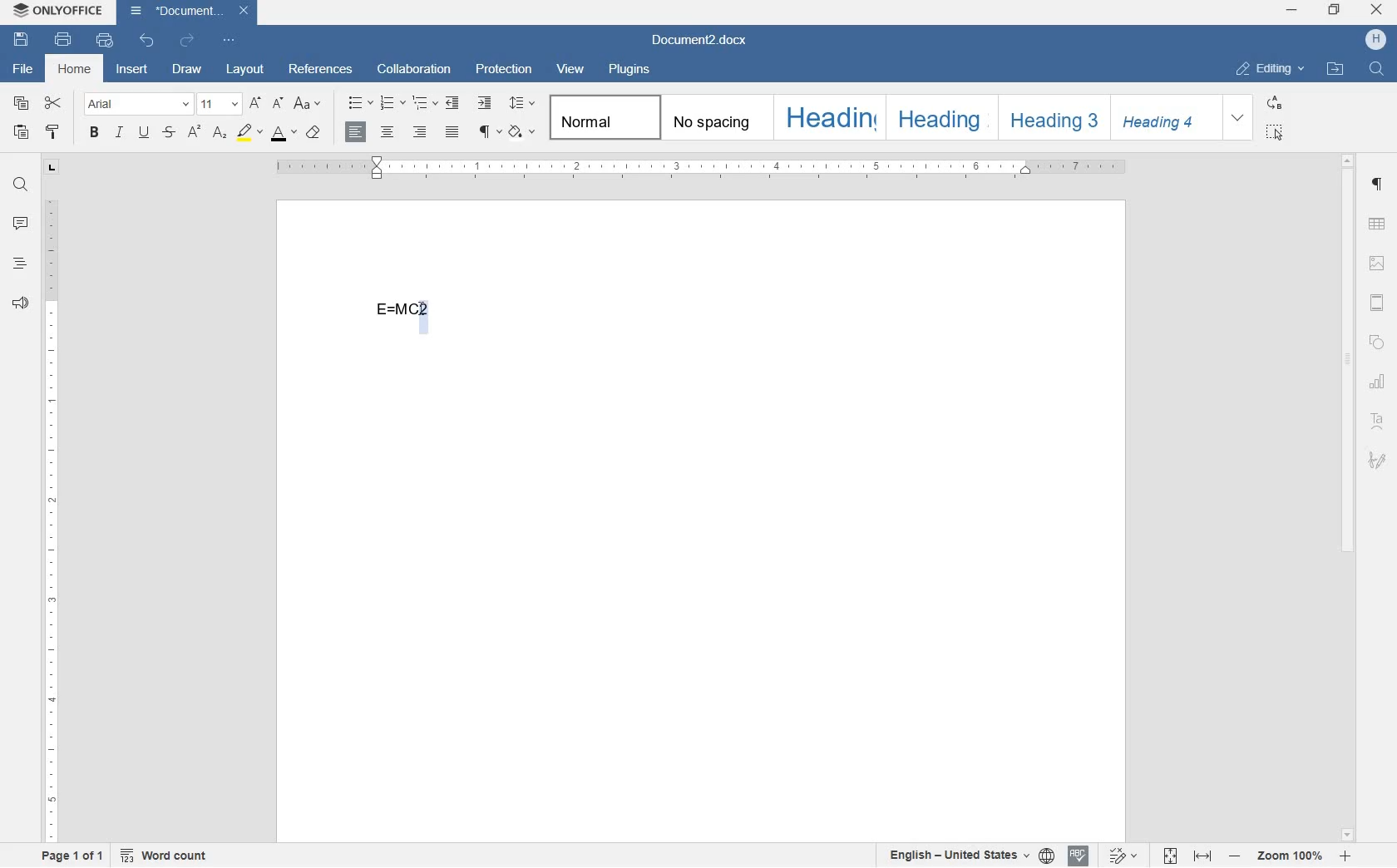  What do you see at coordinates (1077, 856) in the screenshot?
I see `spell checking` at bounding box center [1077, 856].